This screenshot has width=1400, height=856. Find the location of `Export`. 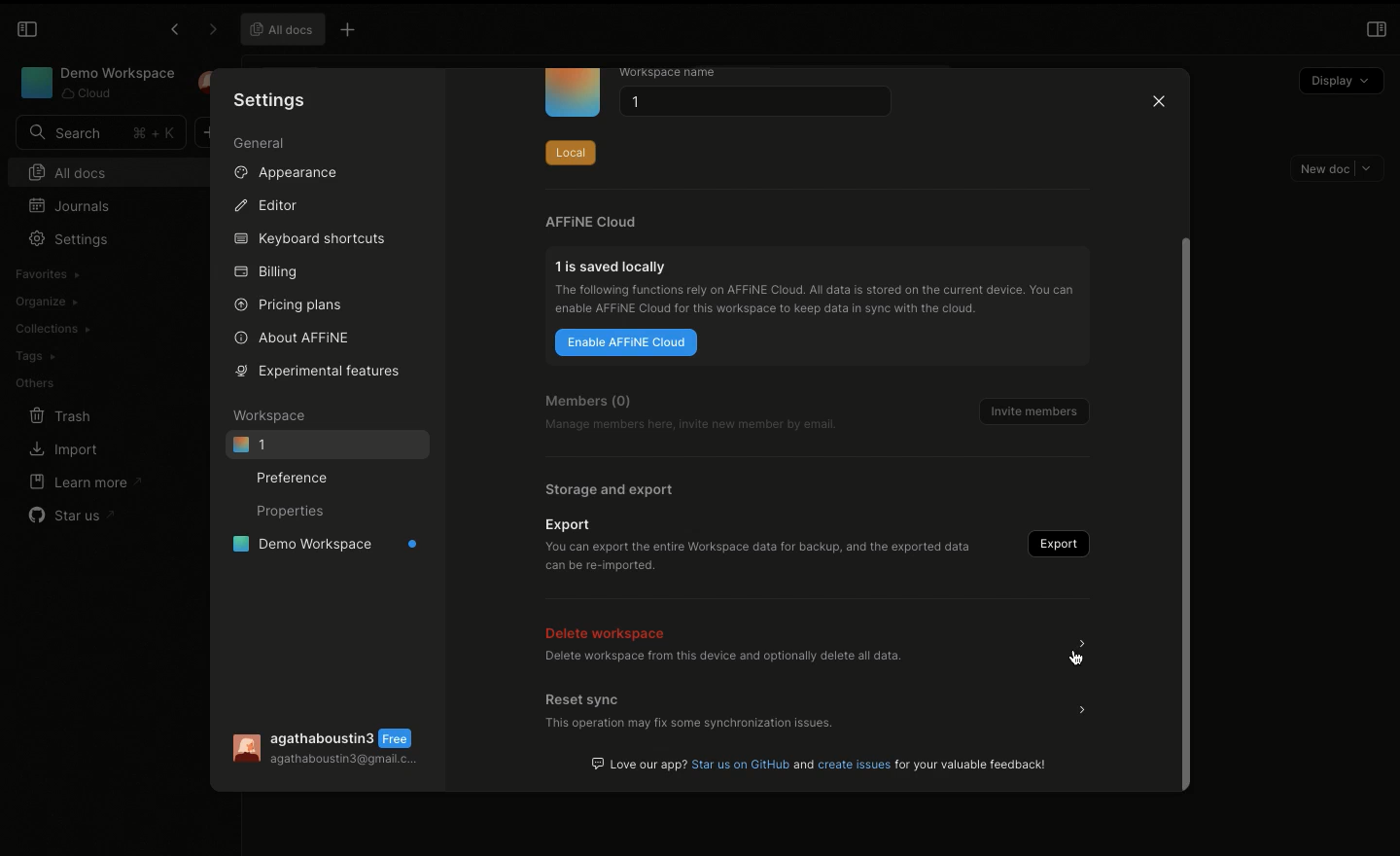

Export is located at coordinates (571, 524).